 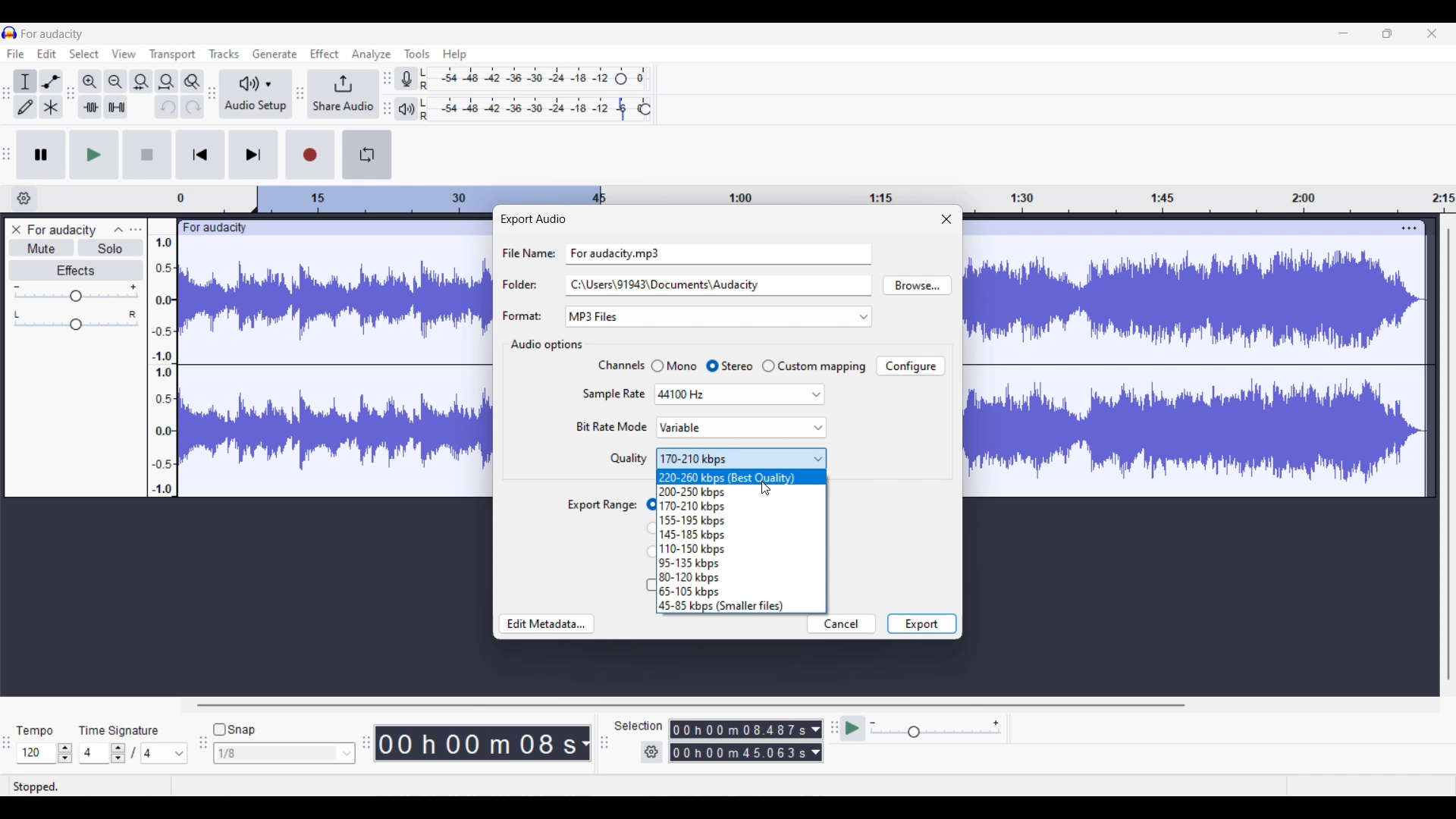 What do you see at coordinates (814, 366) in the screenshot?
I see `Toggle for Custom mapping` at bounding box center [814, 366].